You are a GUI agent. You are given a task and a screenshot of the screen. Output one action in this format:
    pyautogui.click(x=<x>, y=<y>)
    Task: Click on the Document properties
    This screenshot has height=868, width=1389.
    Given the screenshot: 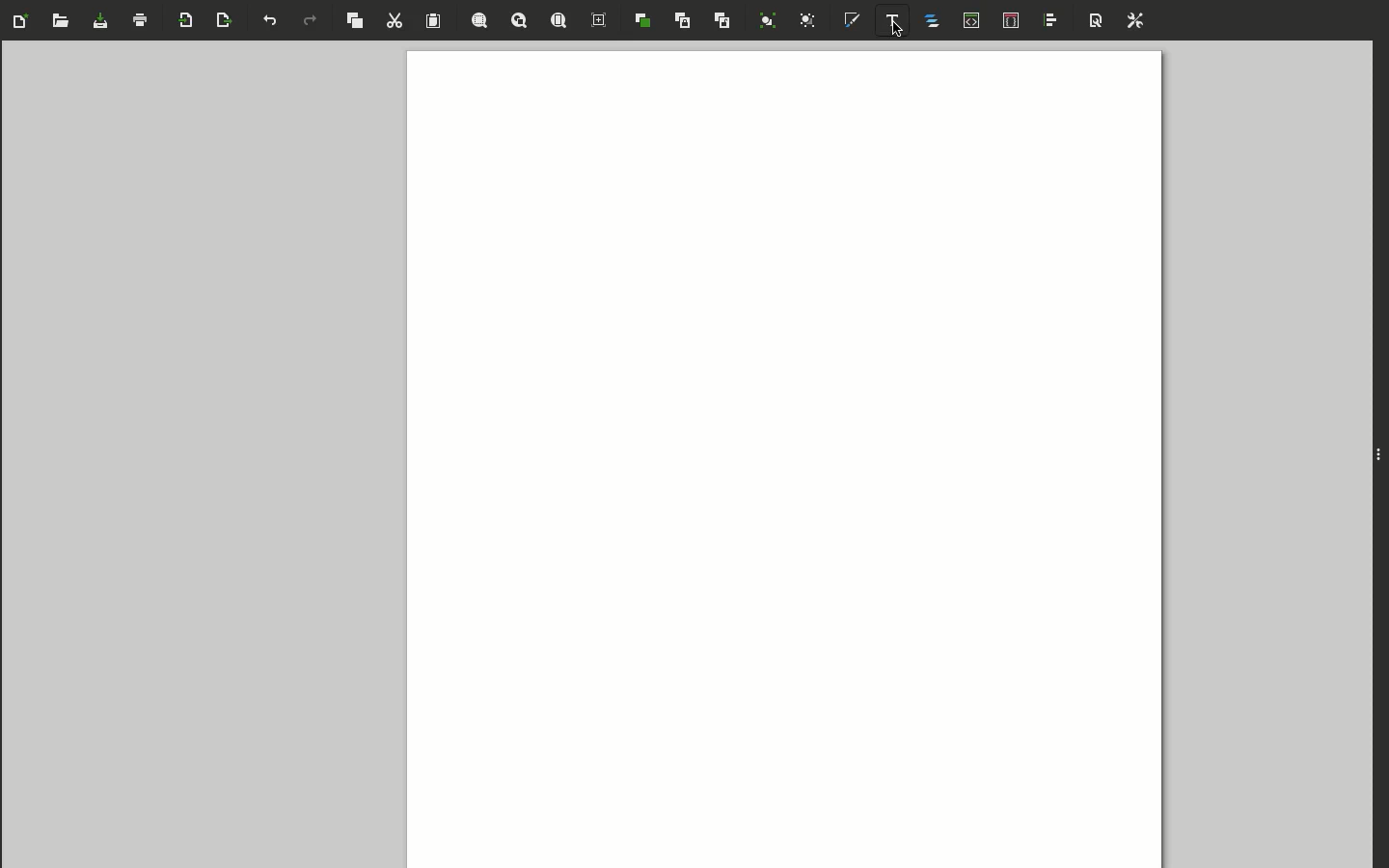 What is the action you would take?
    pyautogui.click(x=1093, y=20)
    